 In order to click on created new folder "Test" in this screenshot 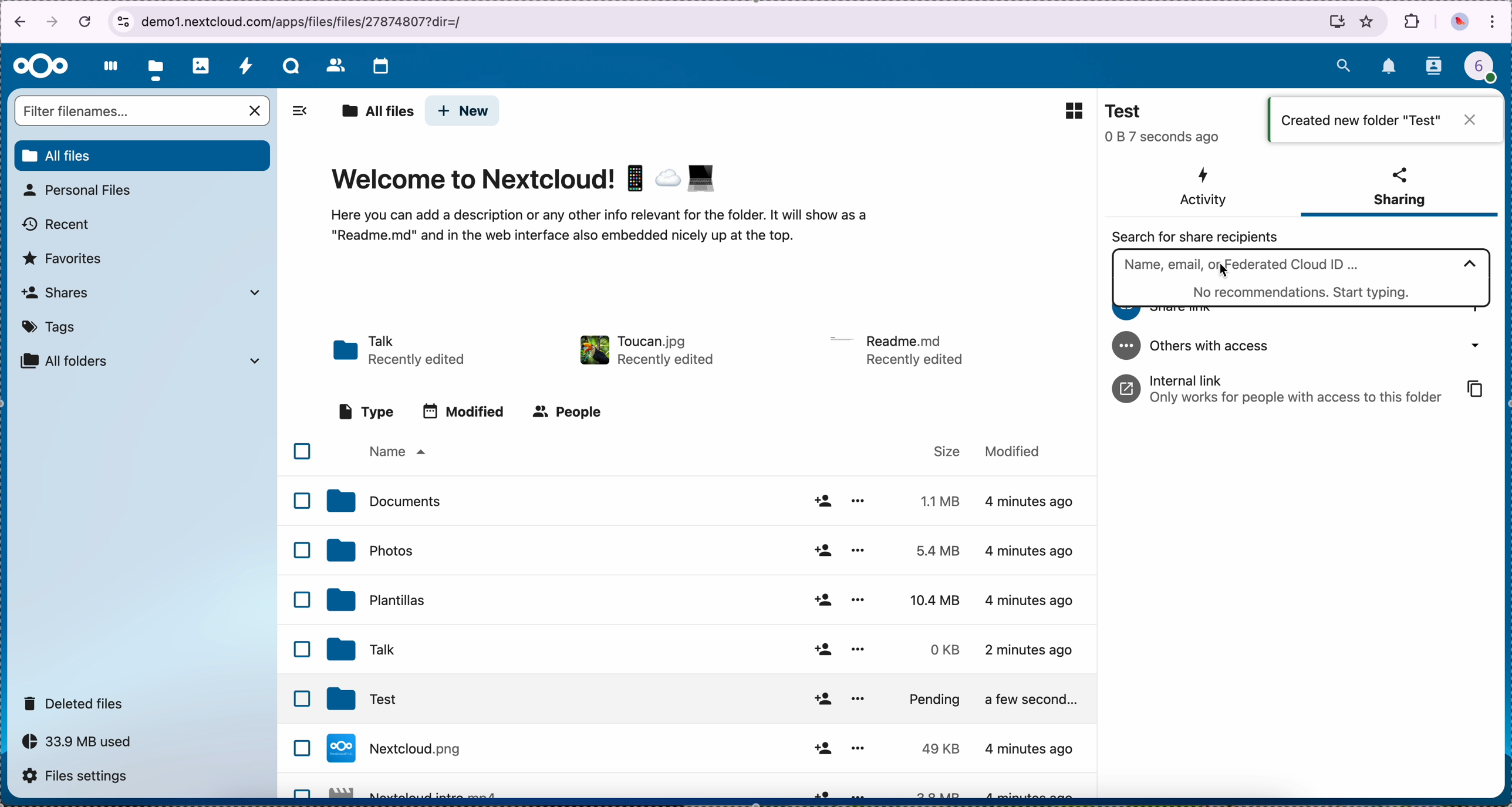, I will do `click(1384, 123)`.